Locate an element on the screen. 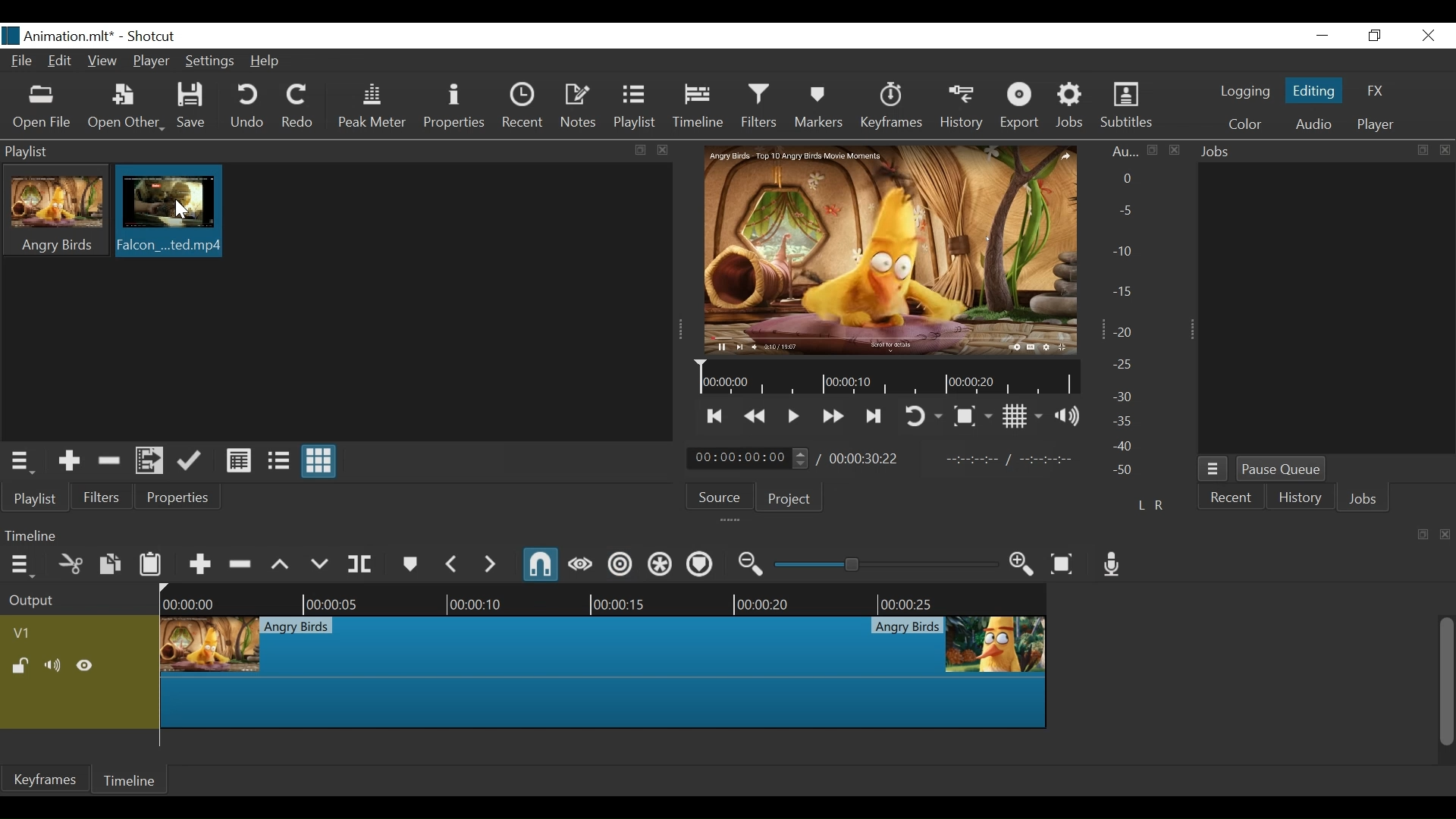  Ripple Markers is located at coordinates (700, 564).